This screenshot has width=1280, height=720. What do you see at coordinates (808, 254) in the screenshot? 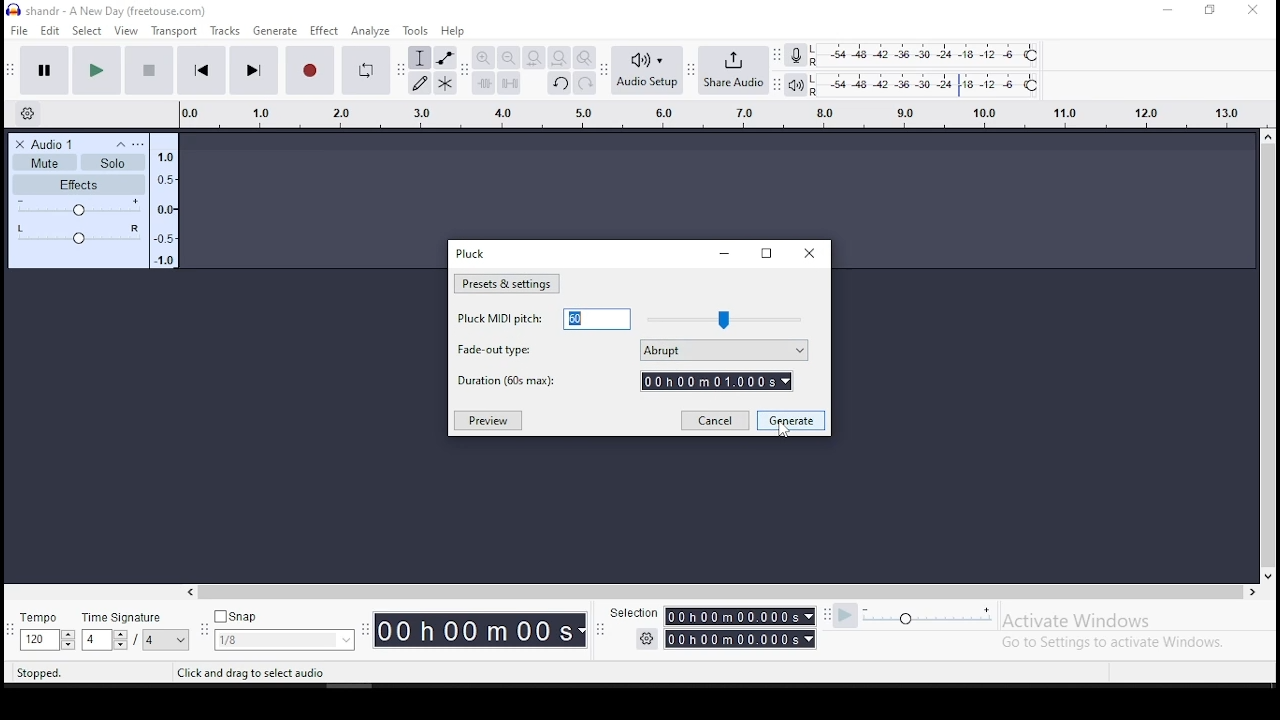
I see `close window` at bounding box center [808, 254].